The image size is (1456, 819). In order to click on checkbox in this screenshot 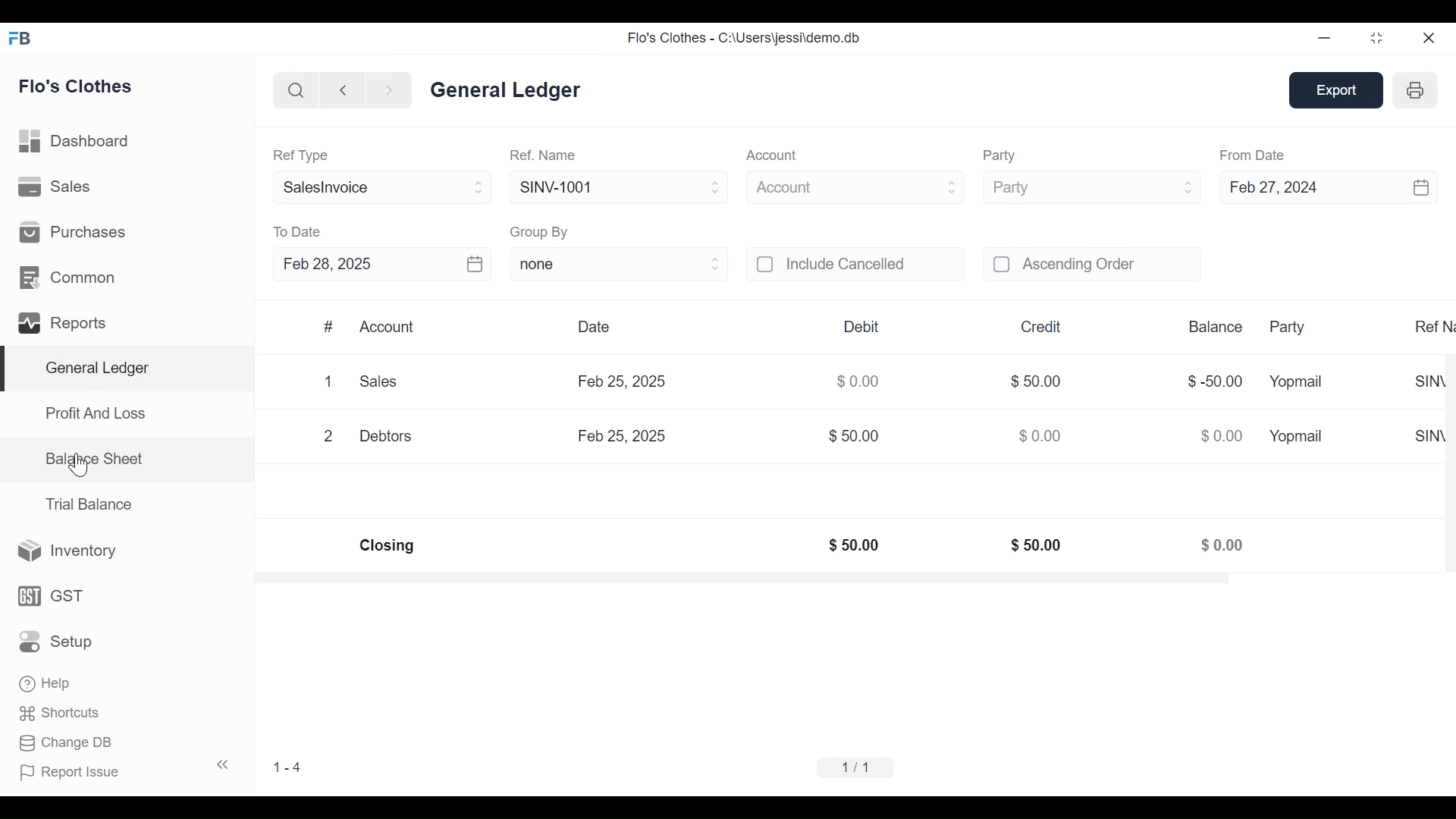, I will do `click(767, 265)`.